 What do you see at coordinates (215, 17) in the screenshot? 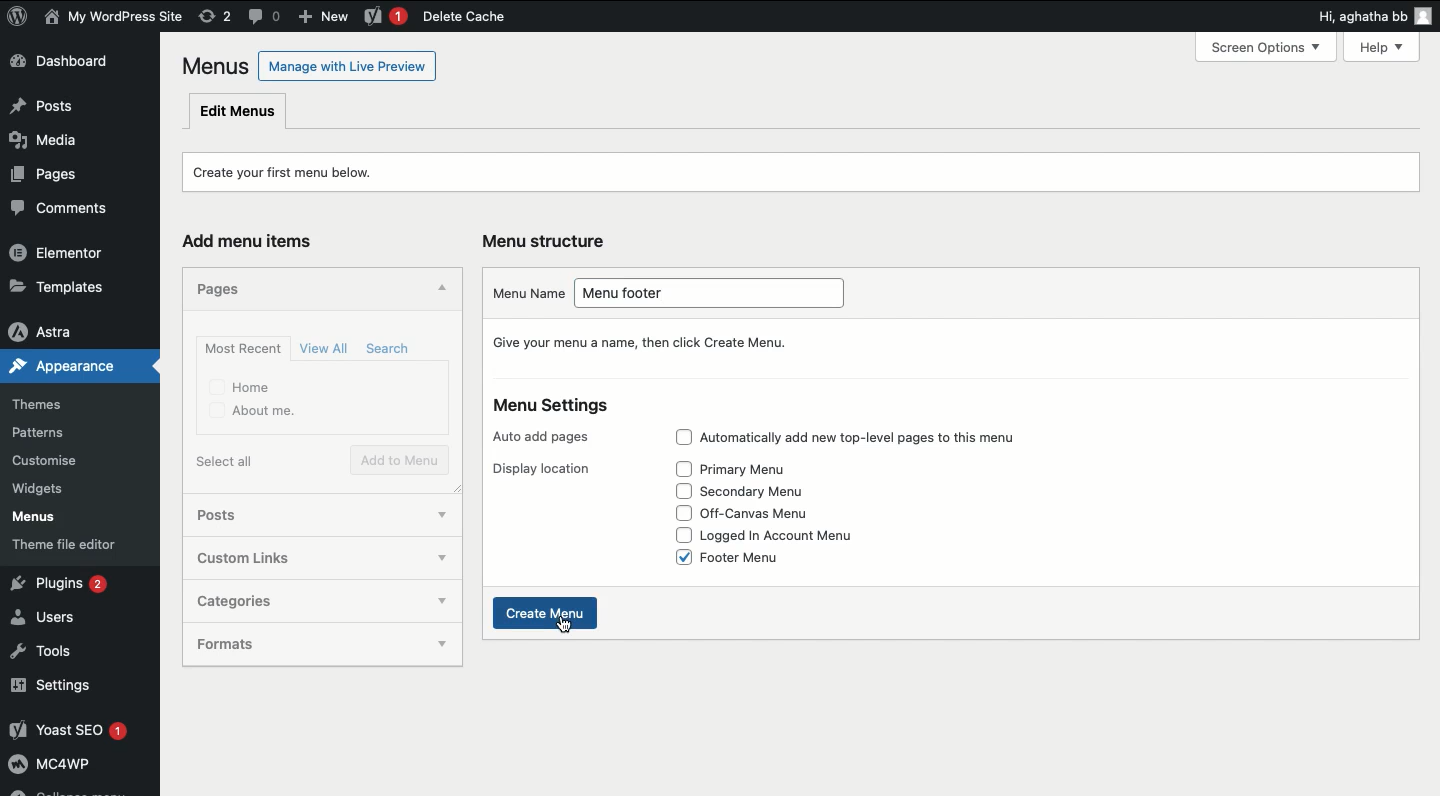
I see `Revision` at bounding box center [215, 17].